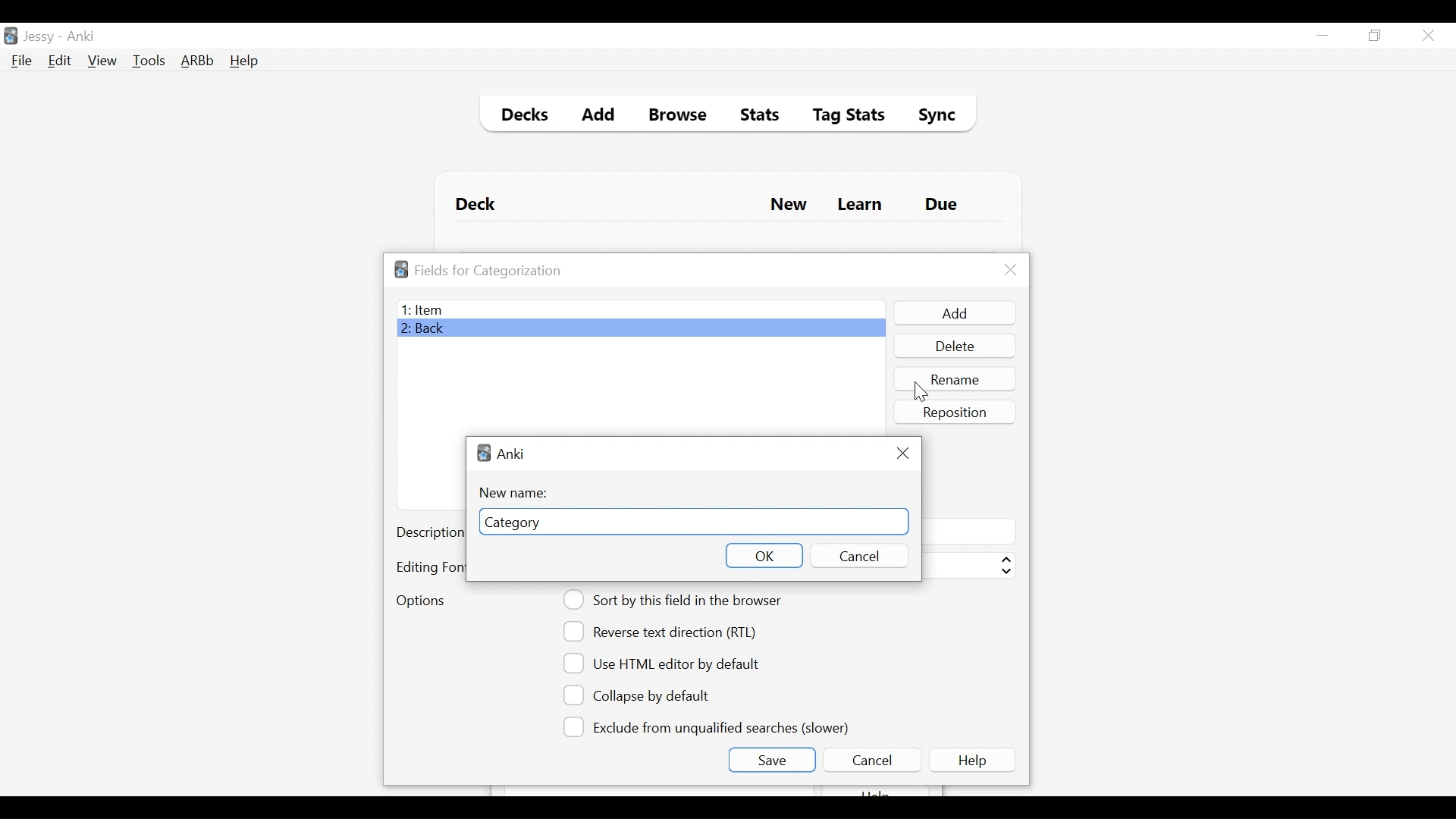  Describe the element at coordinates (484, 453) in the screenshot. I see `Anki logo` at that location.